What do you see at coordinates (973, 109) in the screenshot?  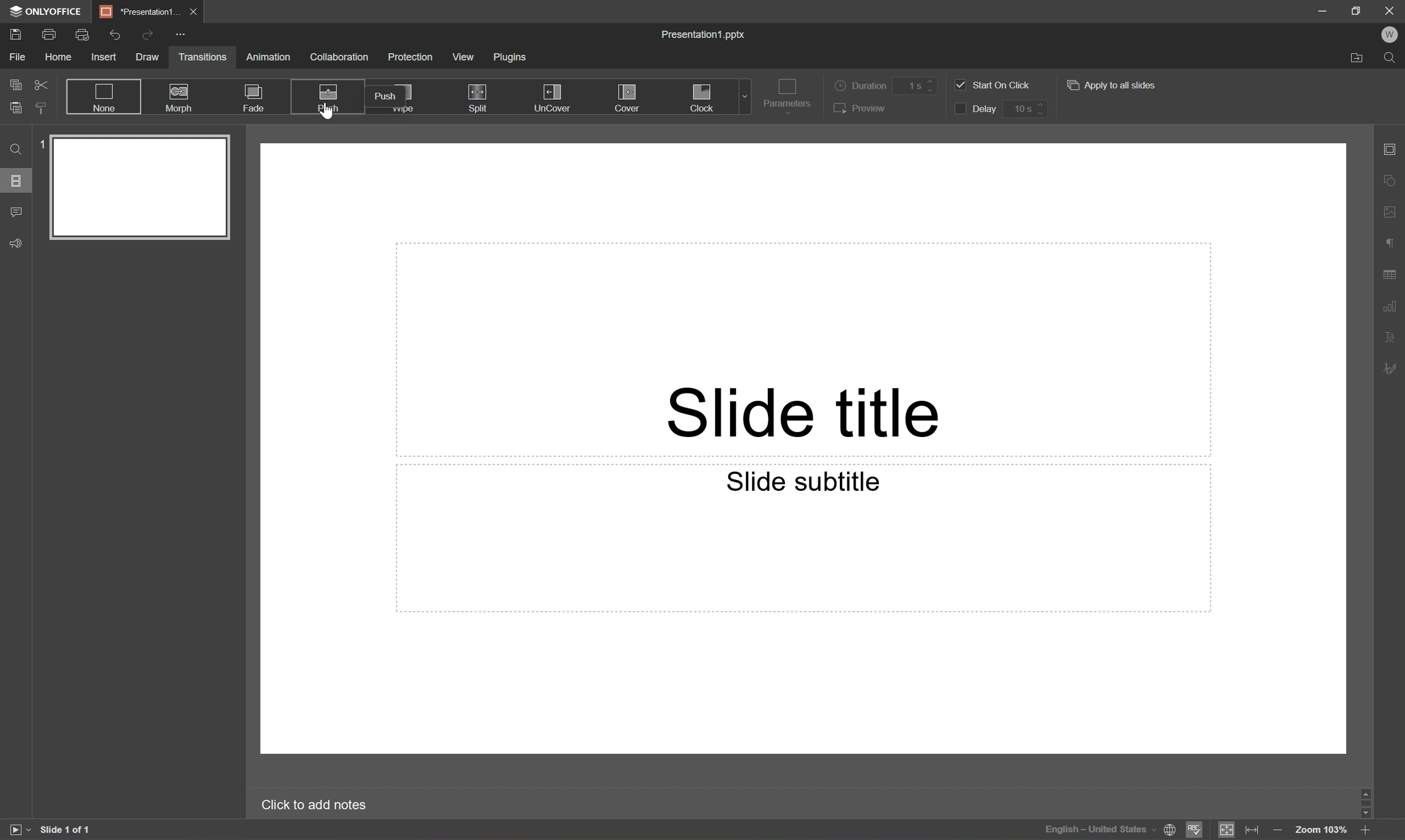 I see `Delay` at bounding box center [973, 109].